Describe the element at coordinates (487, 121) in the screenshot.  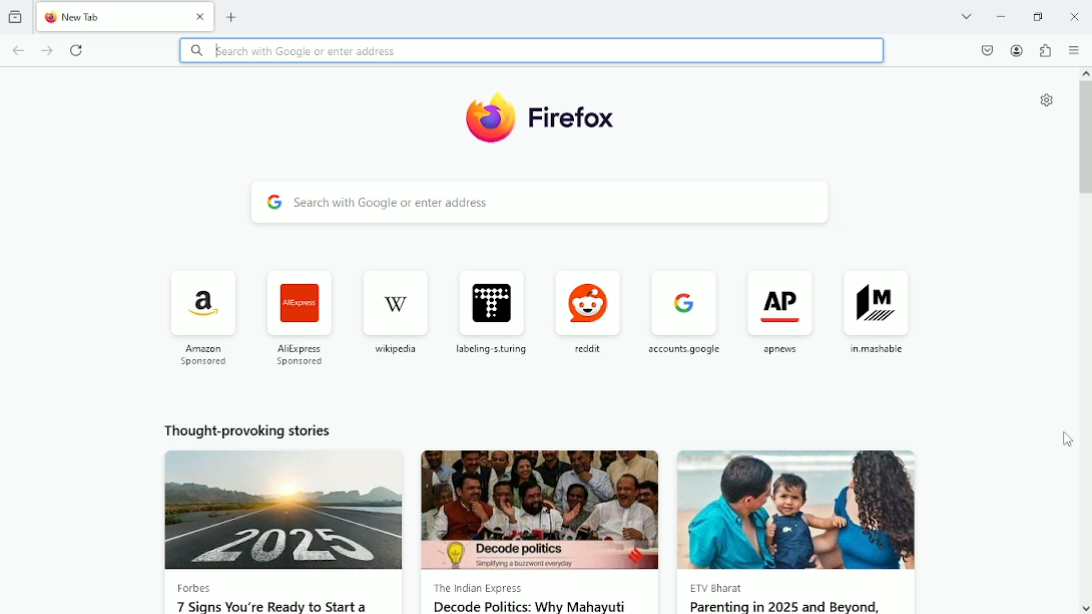
I see `firefox logo` at that location.